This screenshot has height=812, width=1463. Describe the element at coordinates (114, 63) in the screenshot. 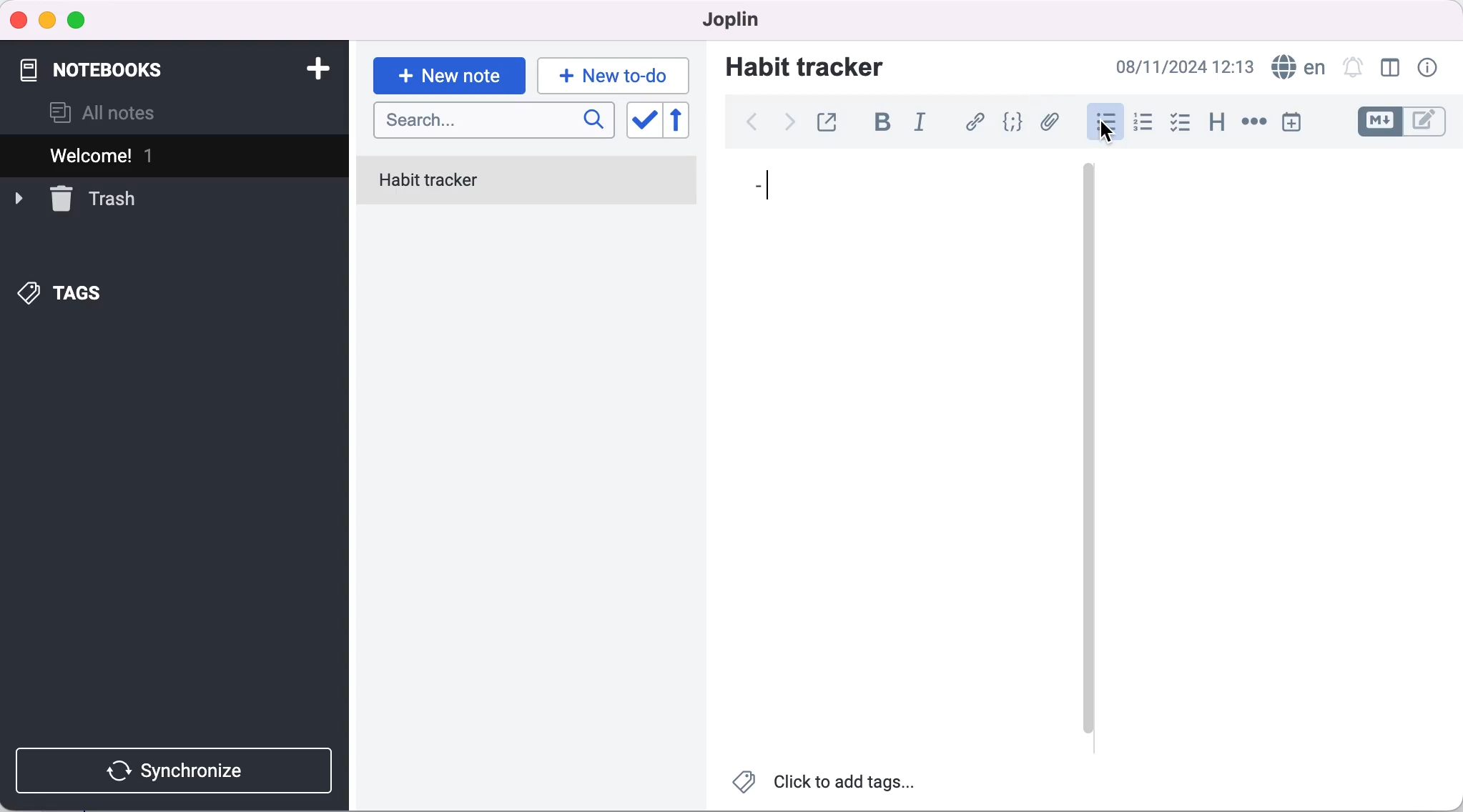

I see `notebooks` at that location.